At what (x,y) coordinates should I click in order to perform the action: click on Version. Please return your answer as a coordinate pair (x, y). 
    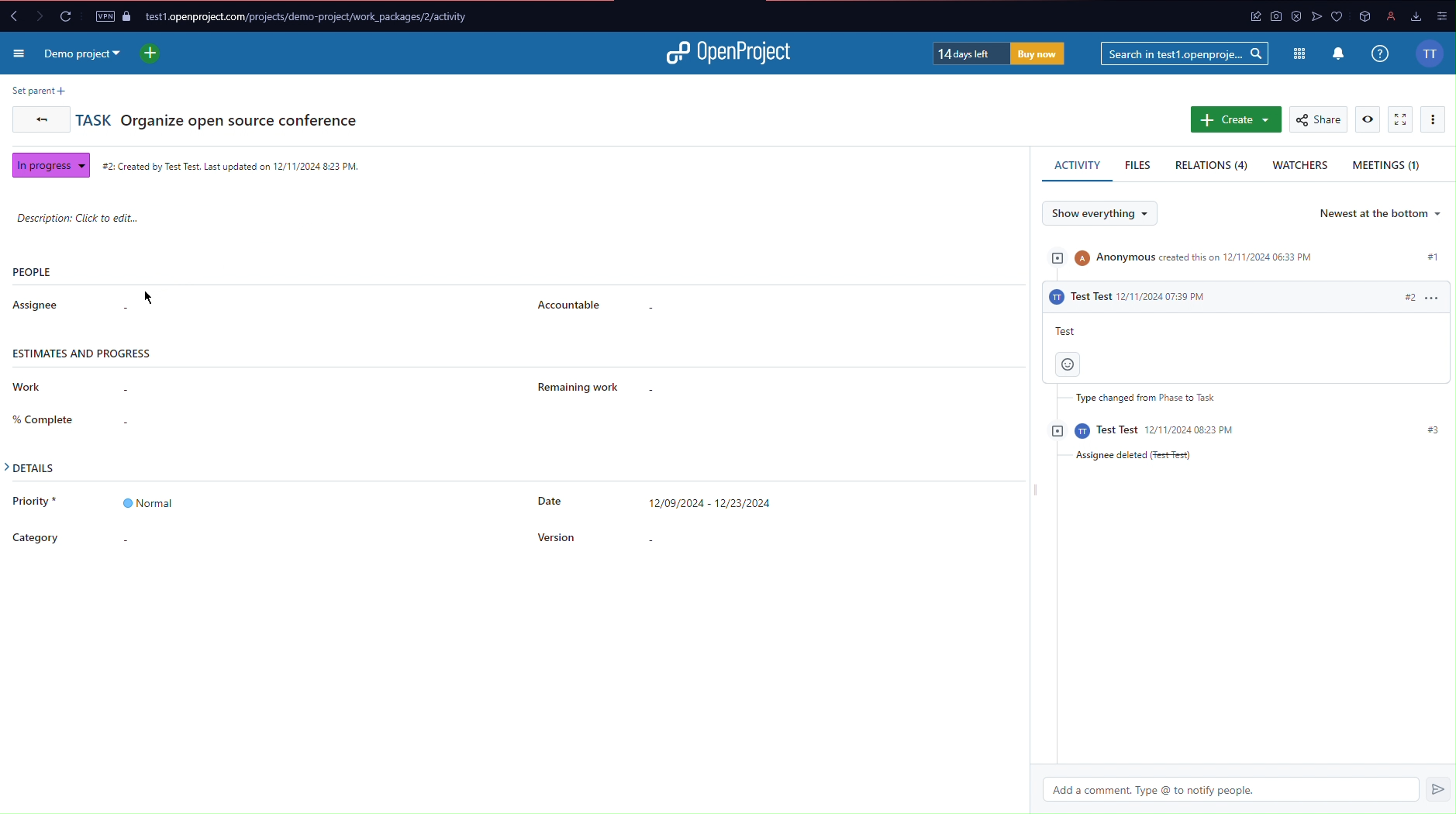
    Looking at the image, I should click on (555, 536).